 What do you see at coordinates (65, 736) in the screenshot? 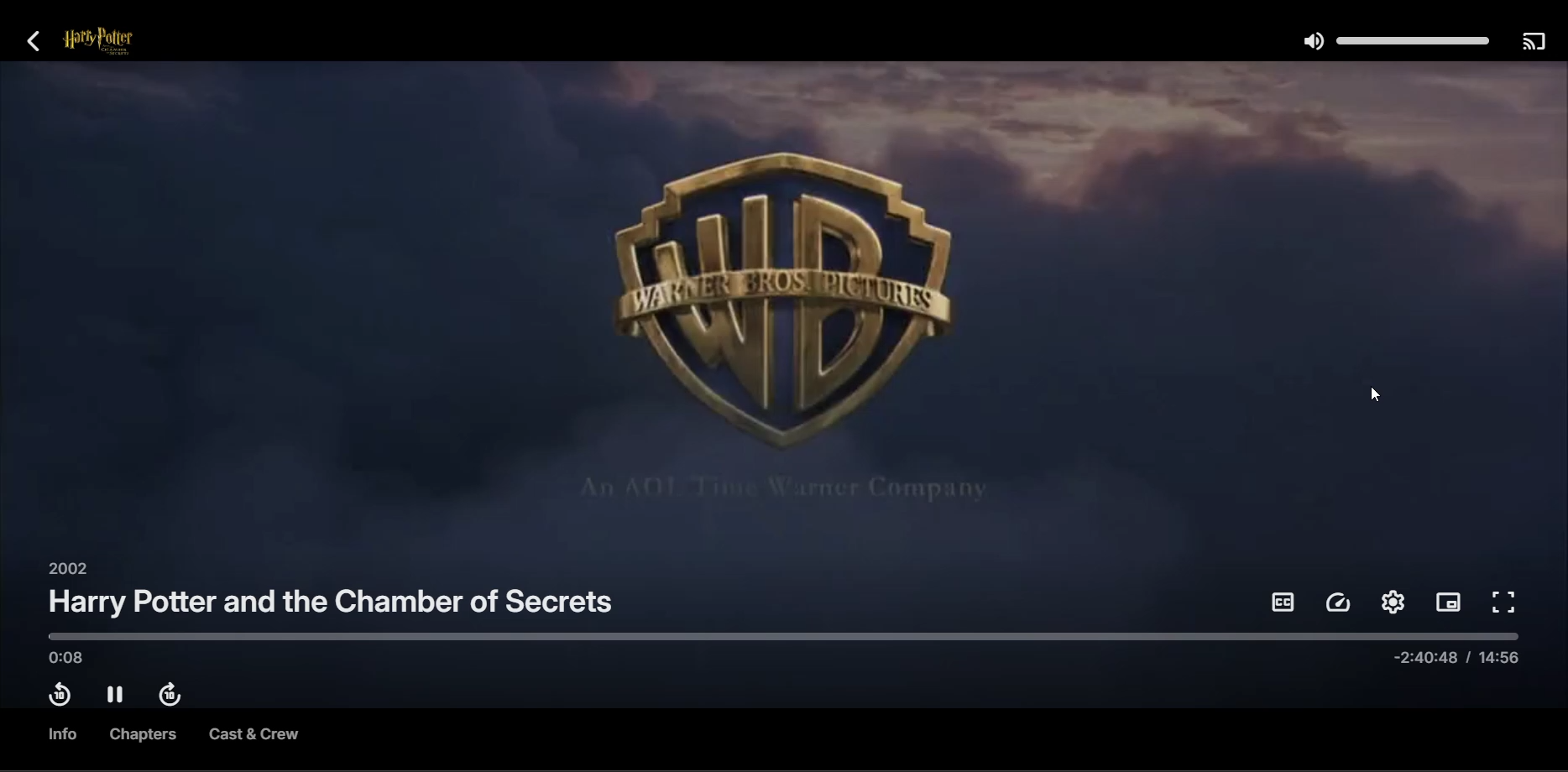
I see `` at bounding box center [65, 736].